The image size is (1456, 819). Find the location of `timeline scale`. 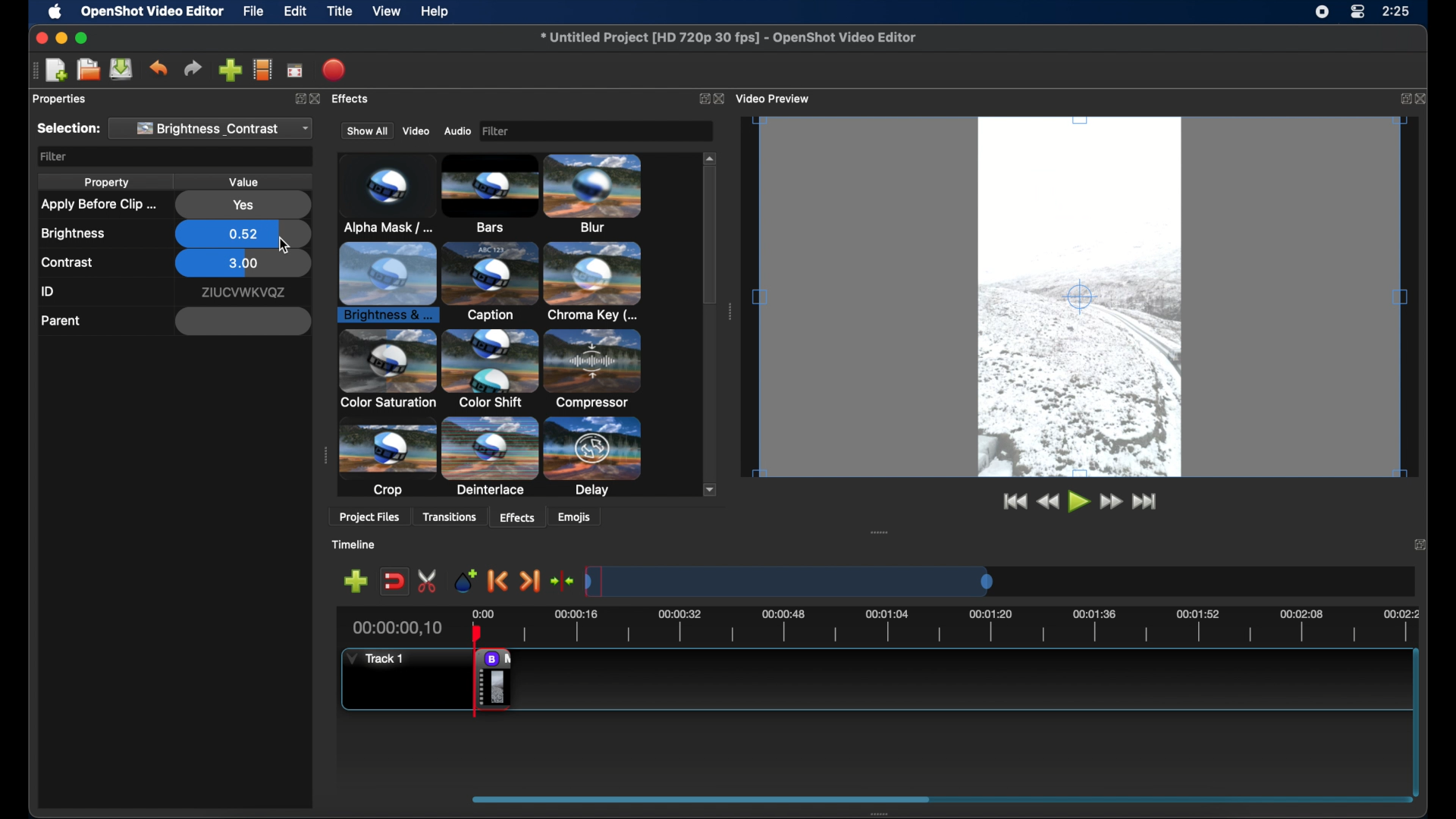

timeline scale is located at coordinates (953, 579).